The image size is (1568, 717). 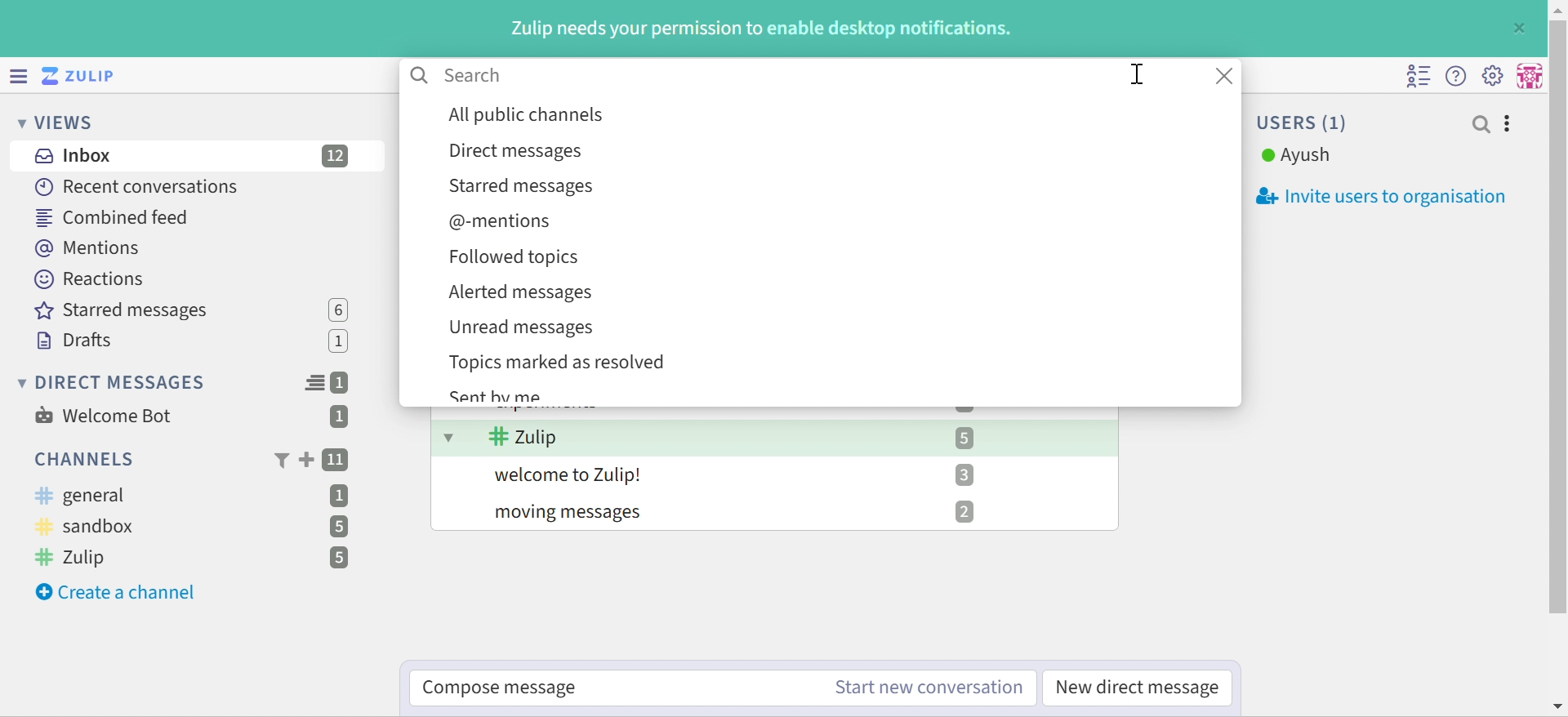 I want to click on @Mentions, so click(x=89, y=249).